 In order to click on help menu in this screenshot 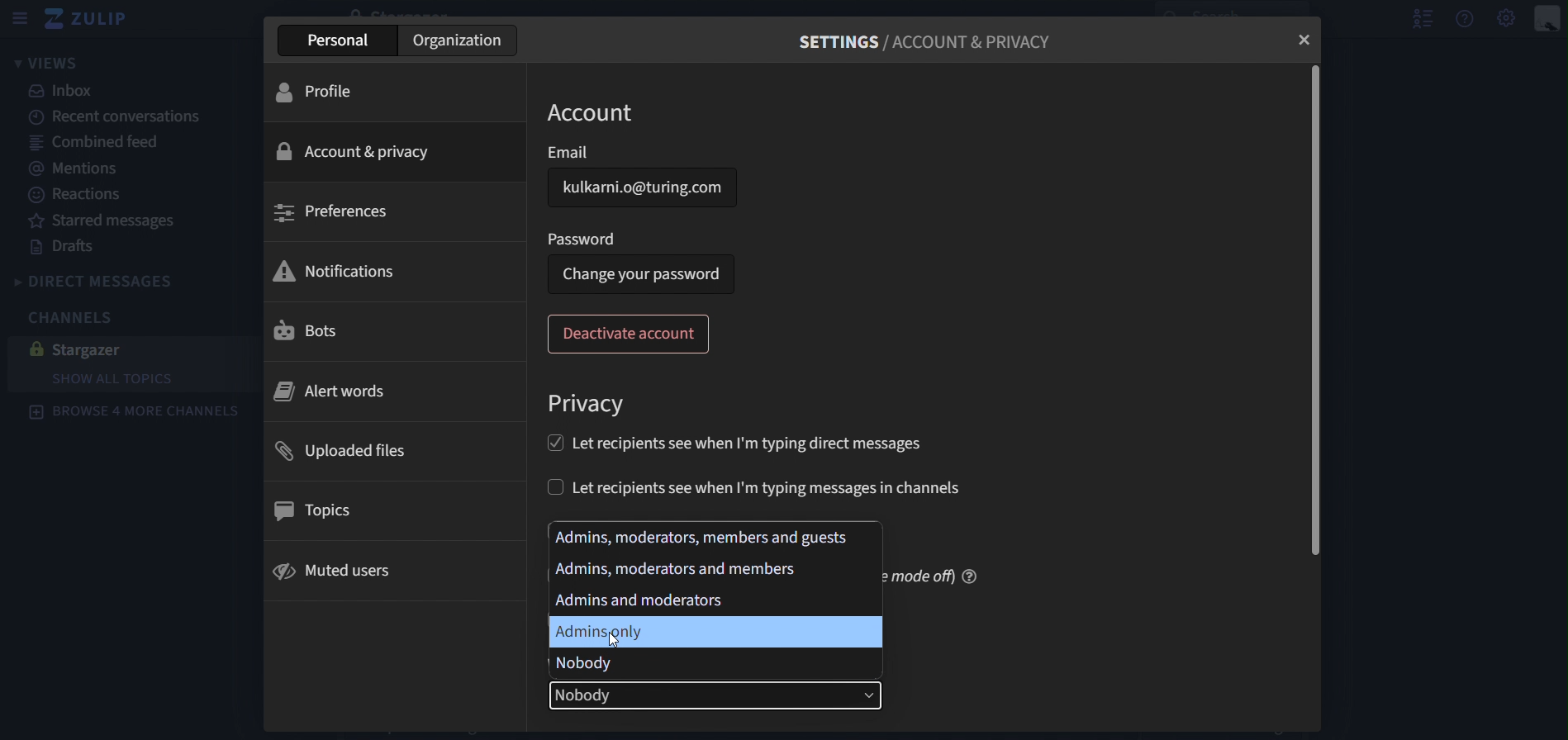, I will do `click(1465, 21)`.